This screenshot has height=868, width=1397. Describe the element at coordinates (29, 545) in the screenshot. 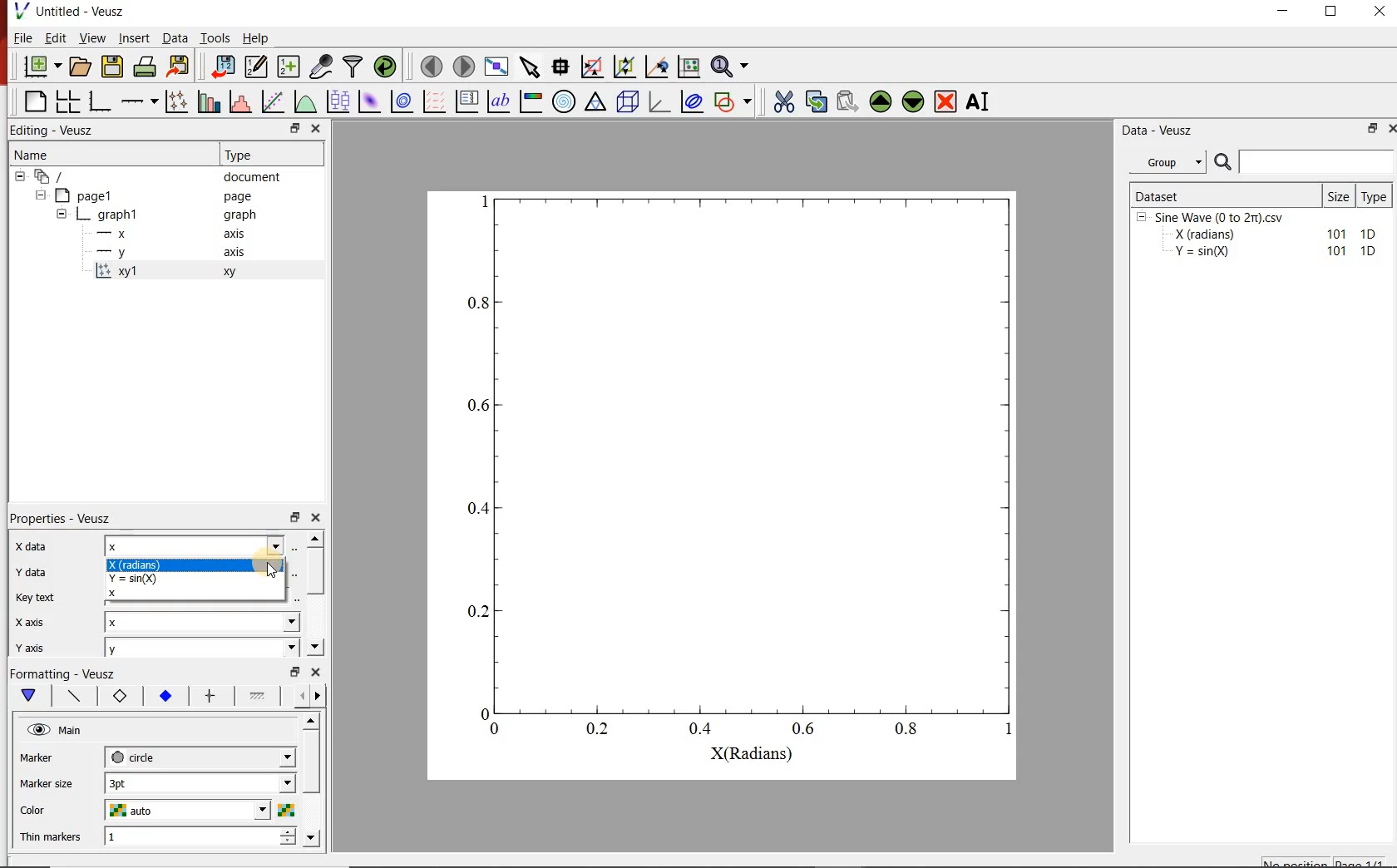

I see `Label` at that location.